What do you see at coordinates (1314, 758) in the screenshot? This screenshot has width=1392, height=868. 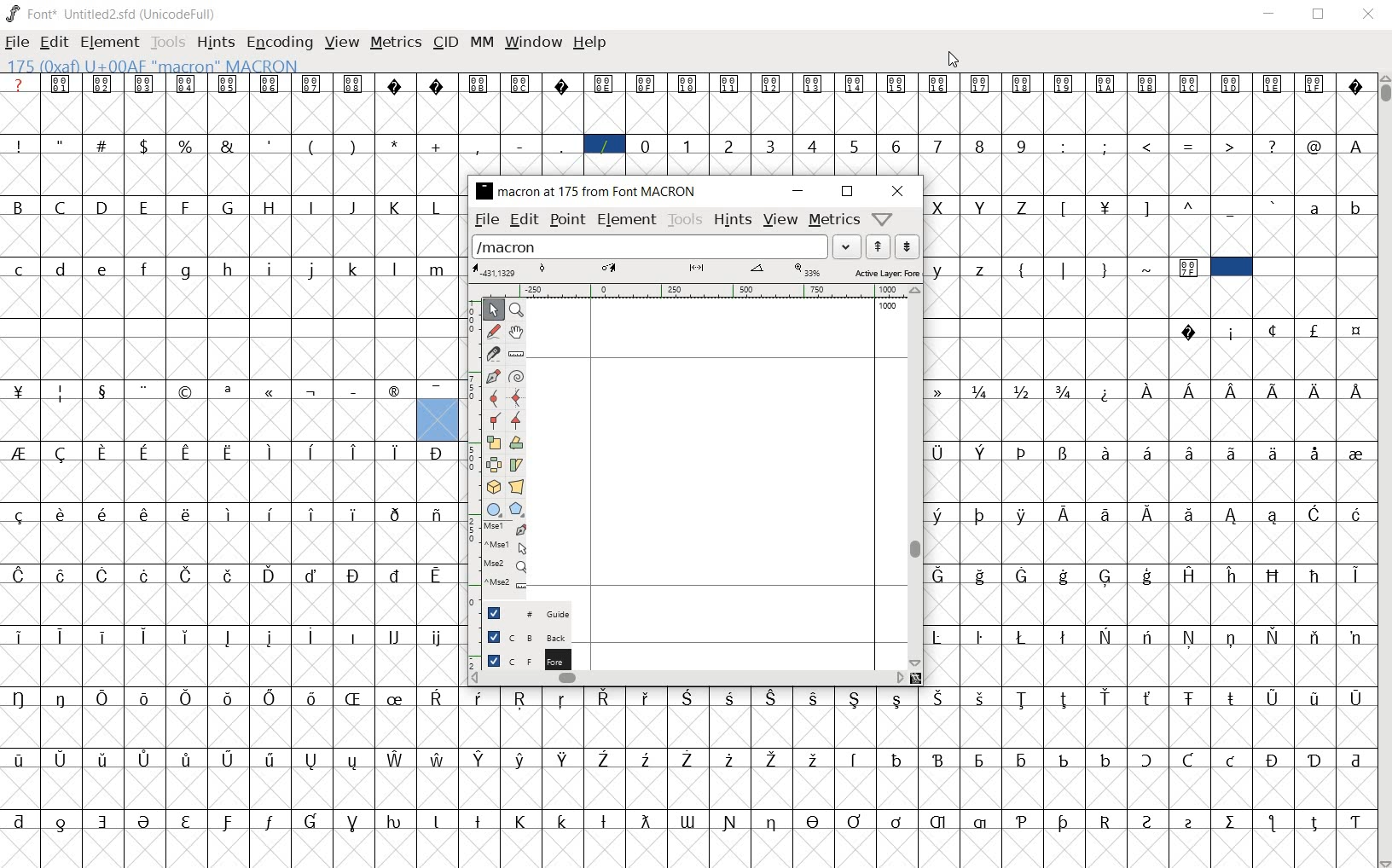 I see `Symbol` at bounding box center [1314, 758].